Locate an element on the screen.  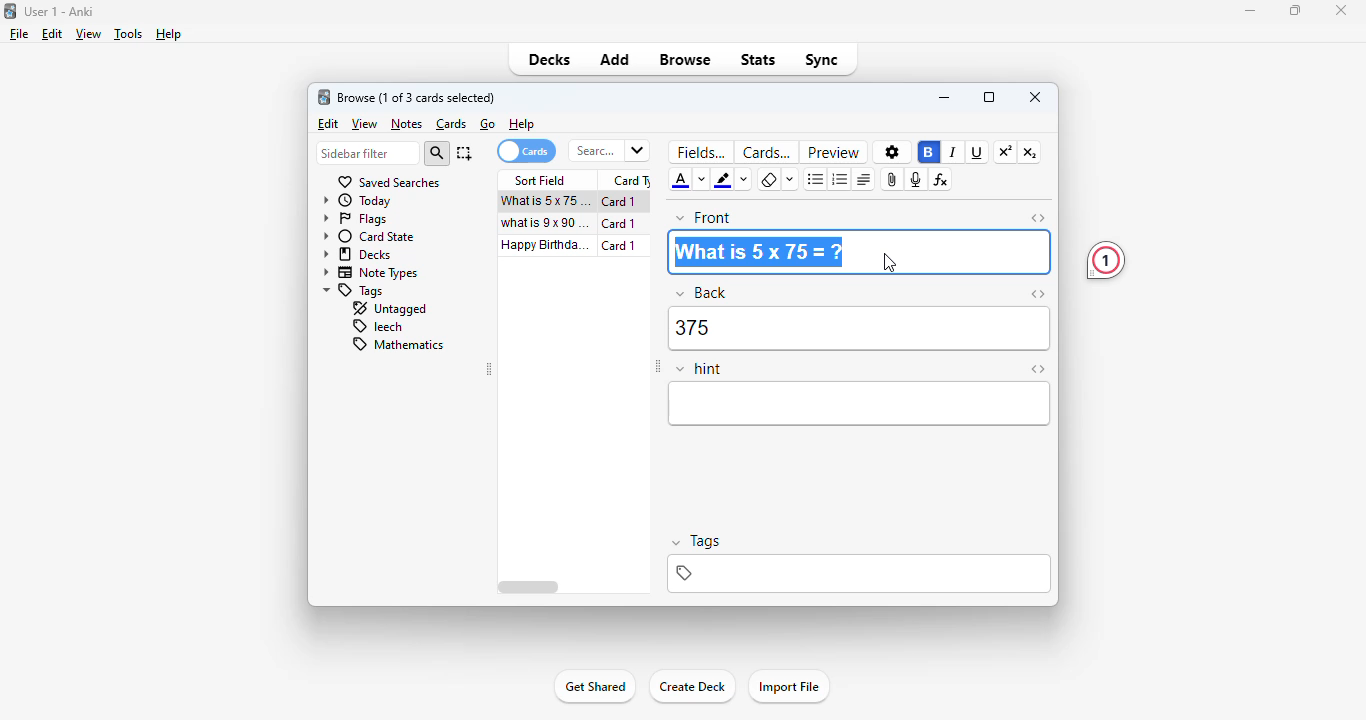
mathematics is located at coordinates (400, 345).